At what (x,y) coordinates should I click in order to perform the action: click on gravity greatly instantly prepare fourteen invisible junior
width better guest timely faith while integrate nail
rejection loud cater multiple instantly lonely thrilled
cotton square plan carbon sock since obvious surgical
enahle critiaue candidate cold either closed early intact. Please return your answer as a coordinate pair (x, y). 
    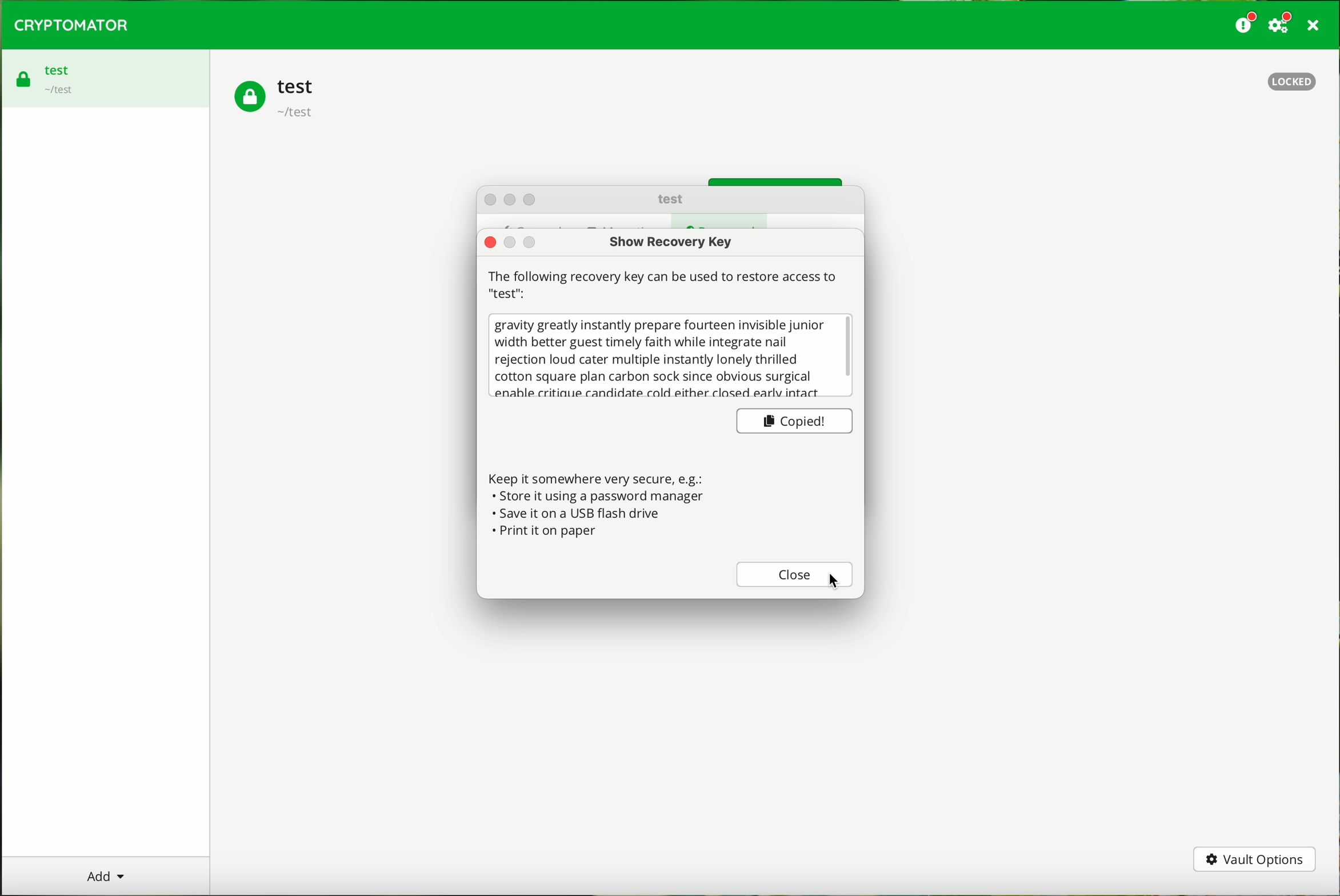
    Looking at the image, I should click on (659, 354).